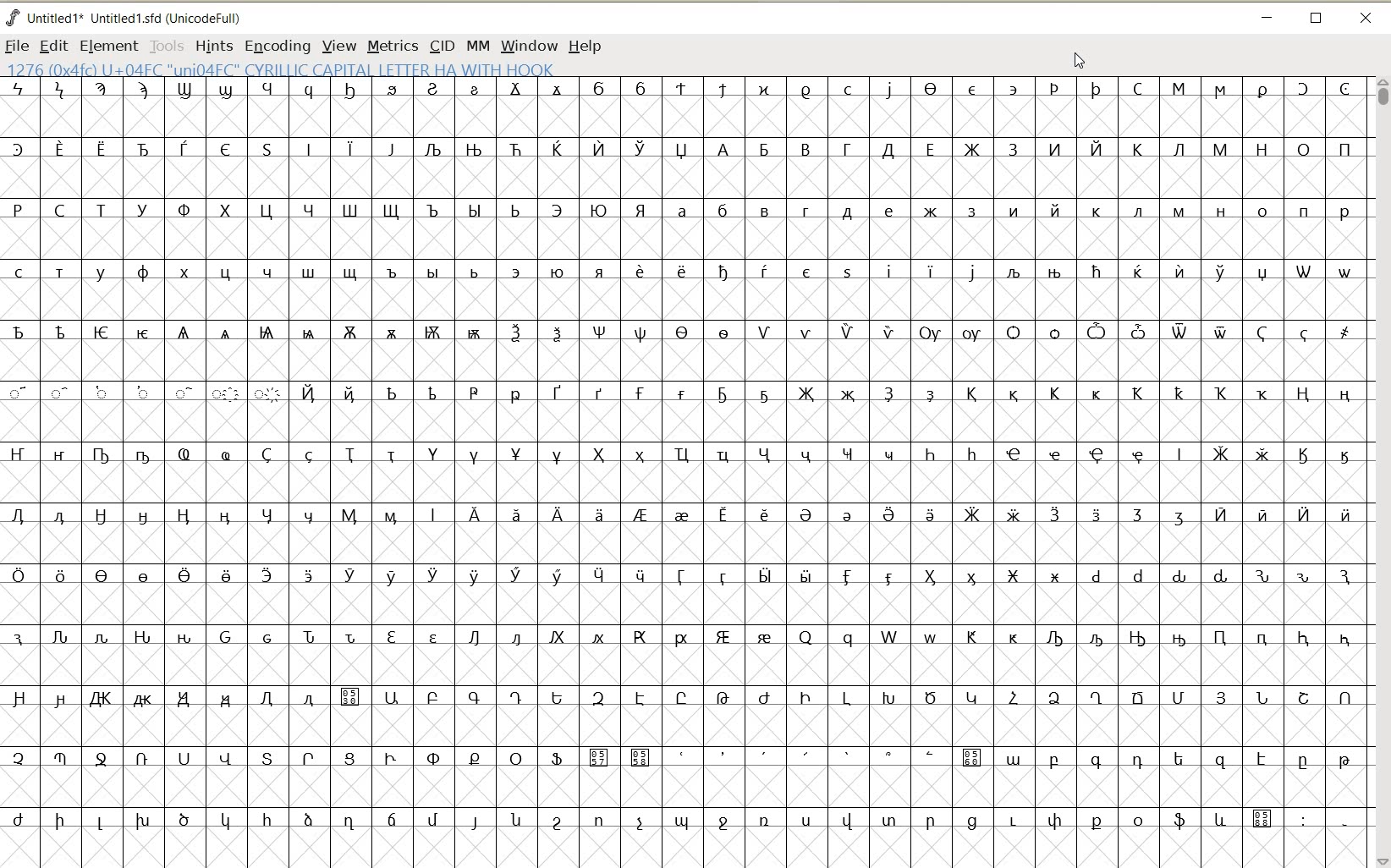 Image resolution: width=1391 pixels, height=868 pixels. I want to click on MINIMIZE, so click(1267, 18).